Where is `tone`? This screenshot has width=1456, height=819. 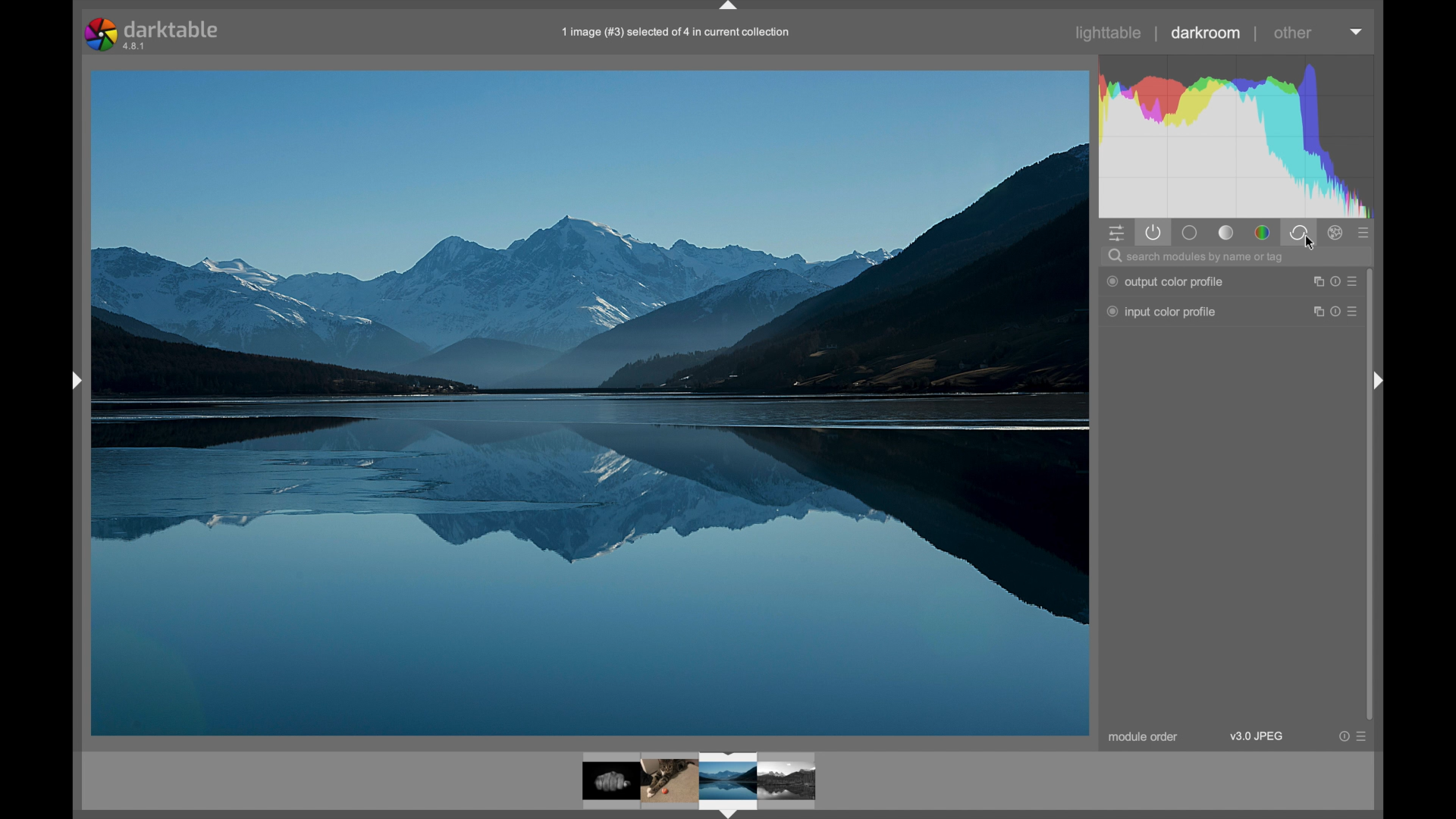 tone is located at coordinates (1227, 234).